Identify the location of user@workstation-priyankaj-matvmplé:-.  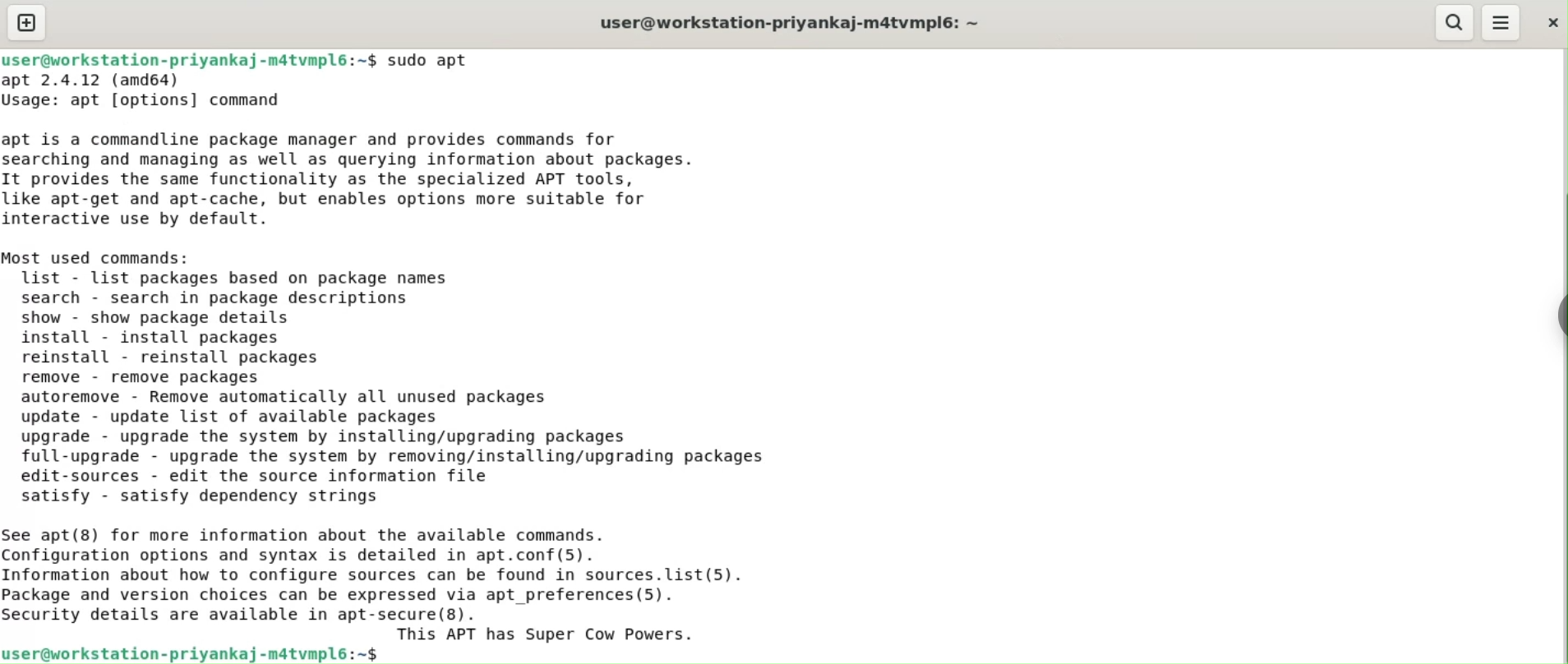
(179, 58).